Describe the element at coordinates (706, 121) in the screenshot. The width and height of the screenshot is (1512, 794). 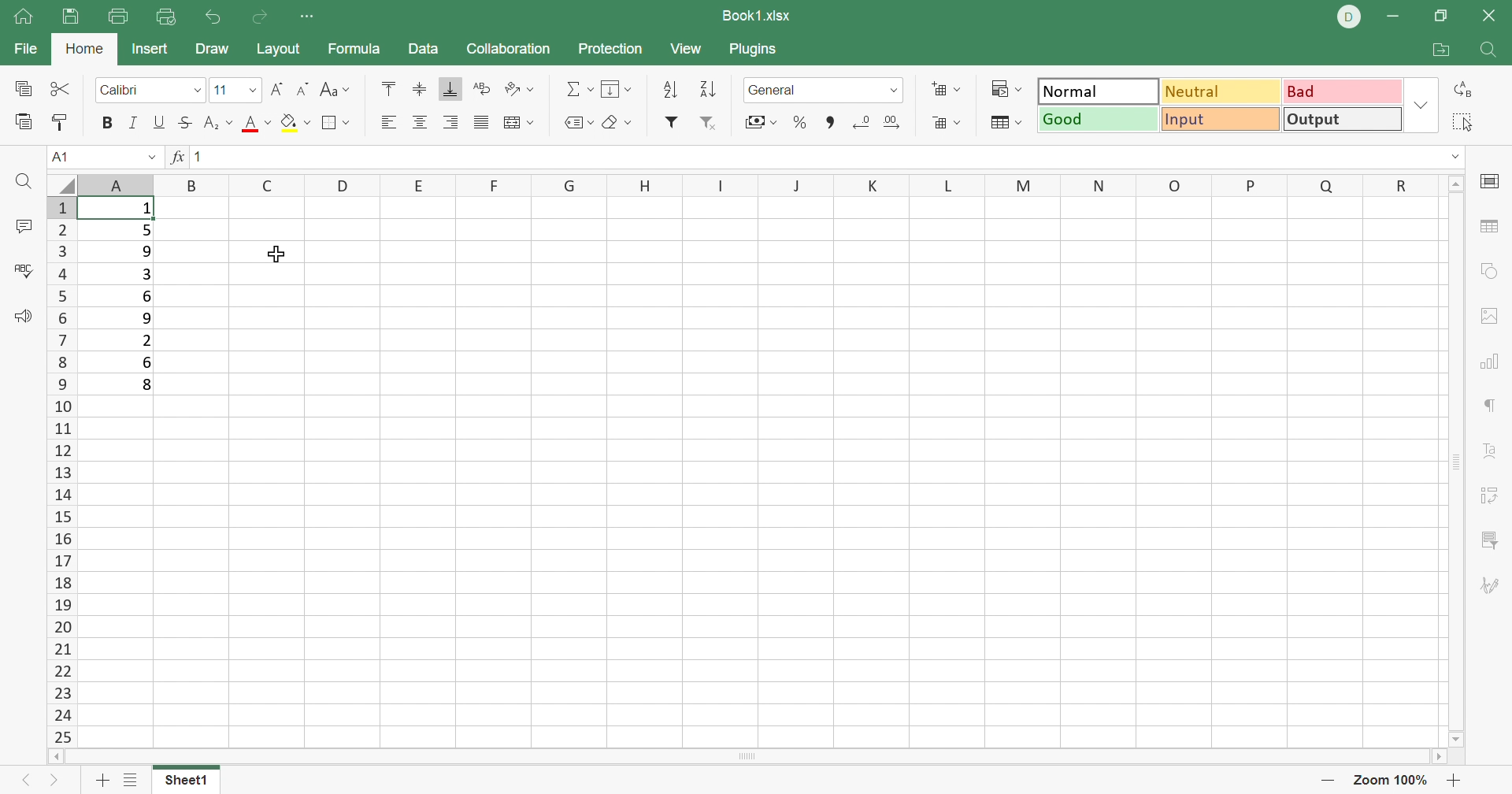
I see `Remove filter` at that location.